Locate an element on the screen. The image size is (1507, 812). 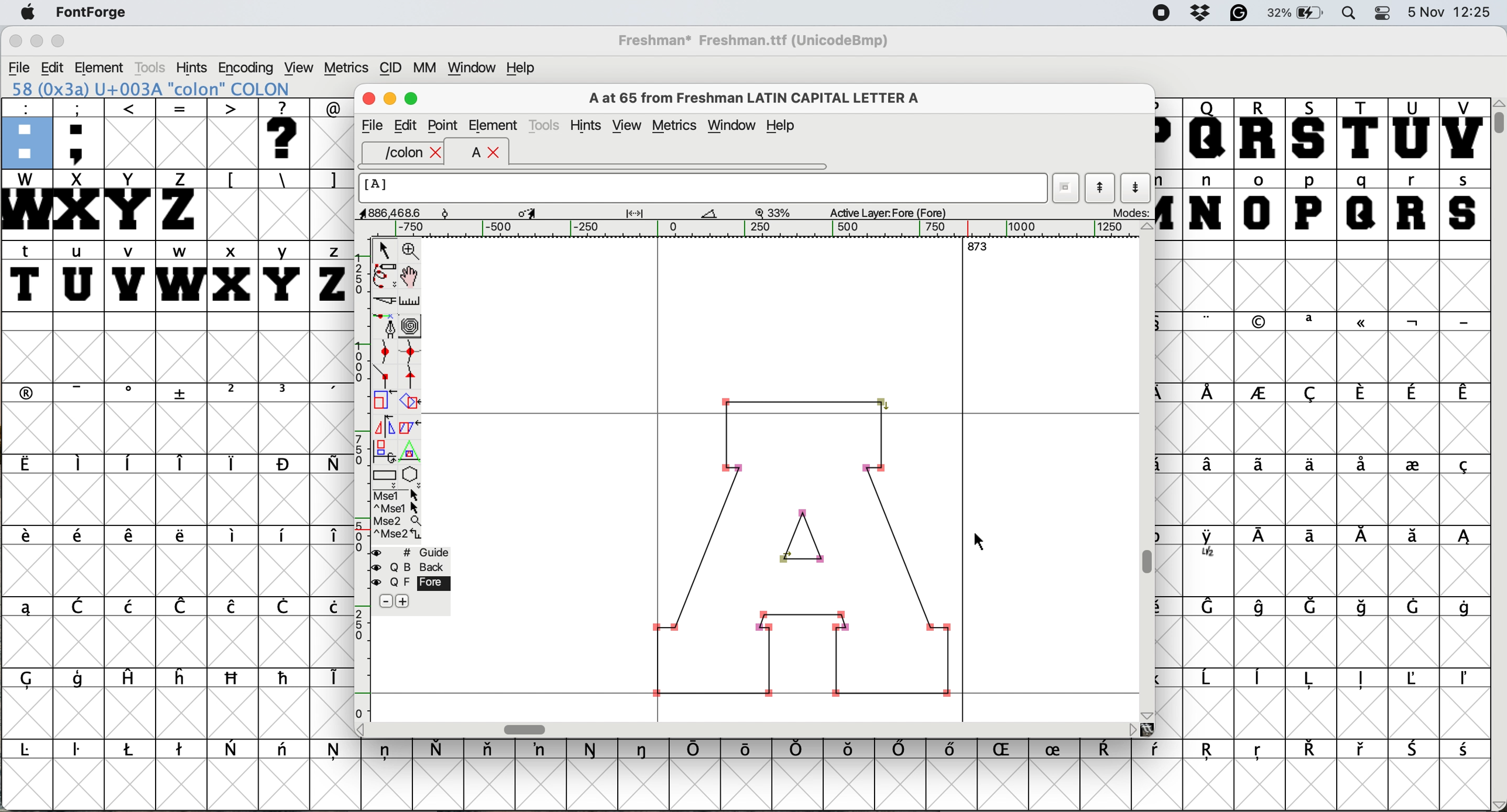
symbol is located at coordinates (798, 749).